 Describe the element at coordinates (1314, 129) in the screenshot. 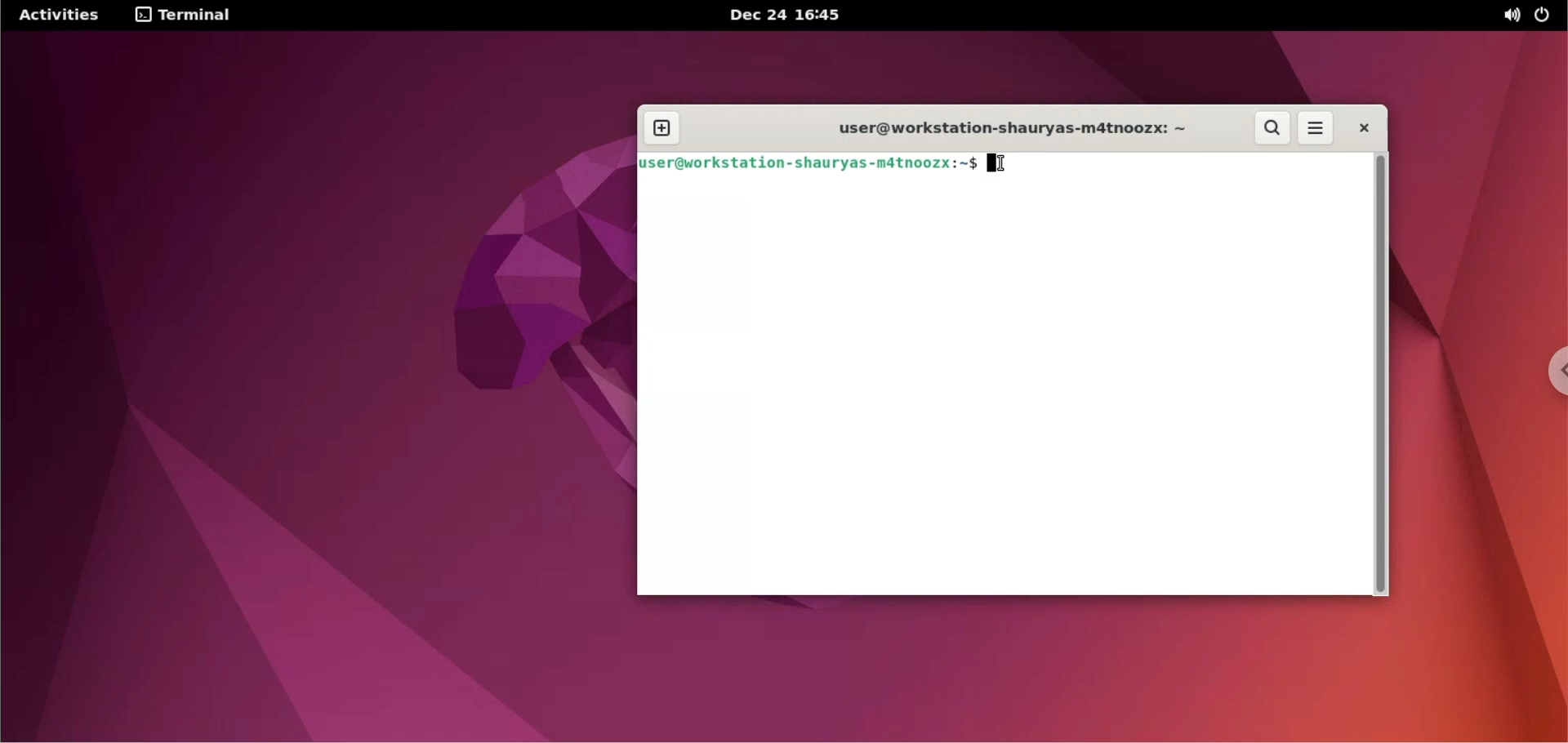

I see `terminal menus` at that location.